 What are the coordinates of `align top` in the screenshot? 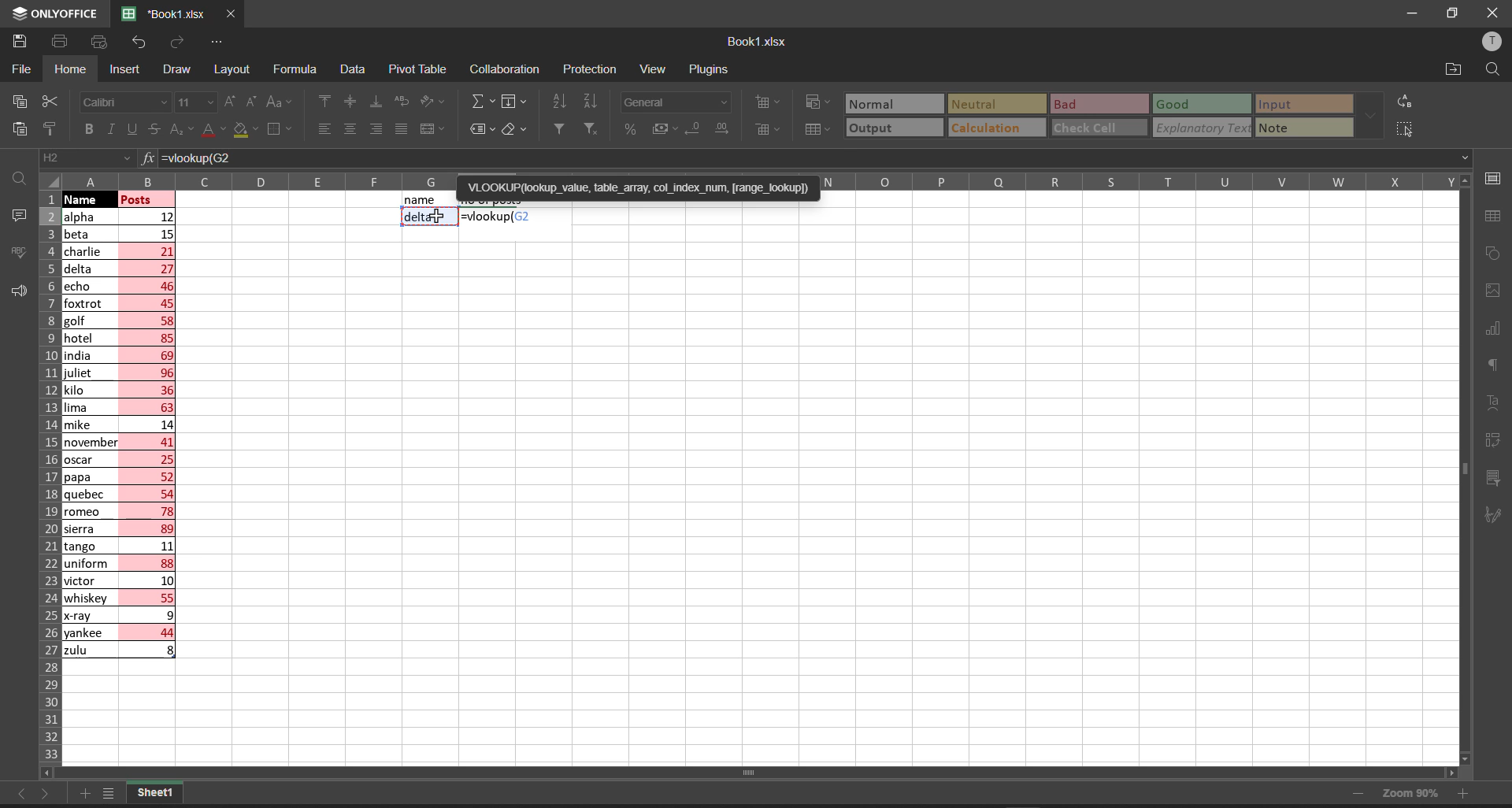 It's located at (321, 102).